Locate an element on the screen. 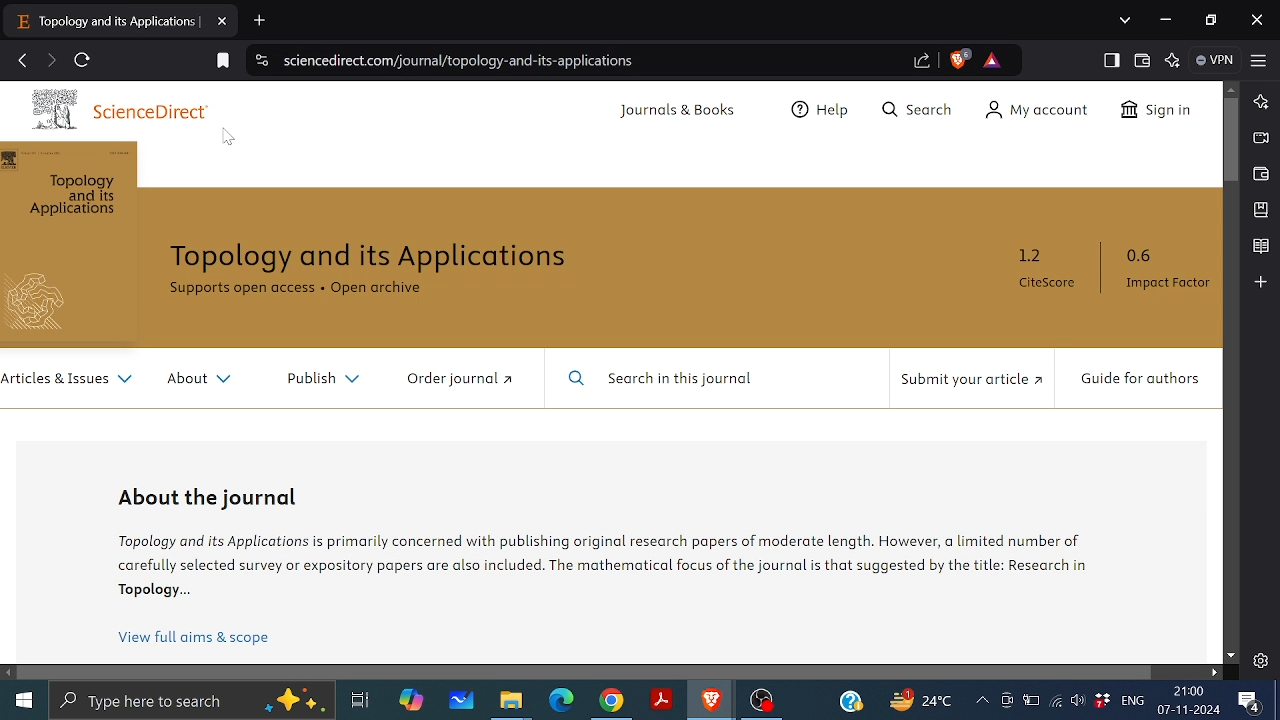  Adobe reader is located at coordinates (660, 700).